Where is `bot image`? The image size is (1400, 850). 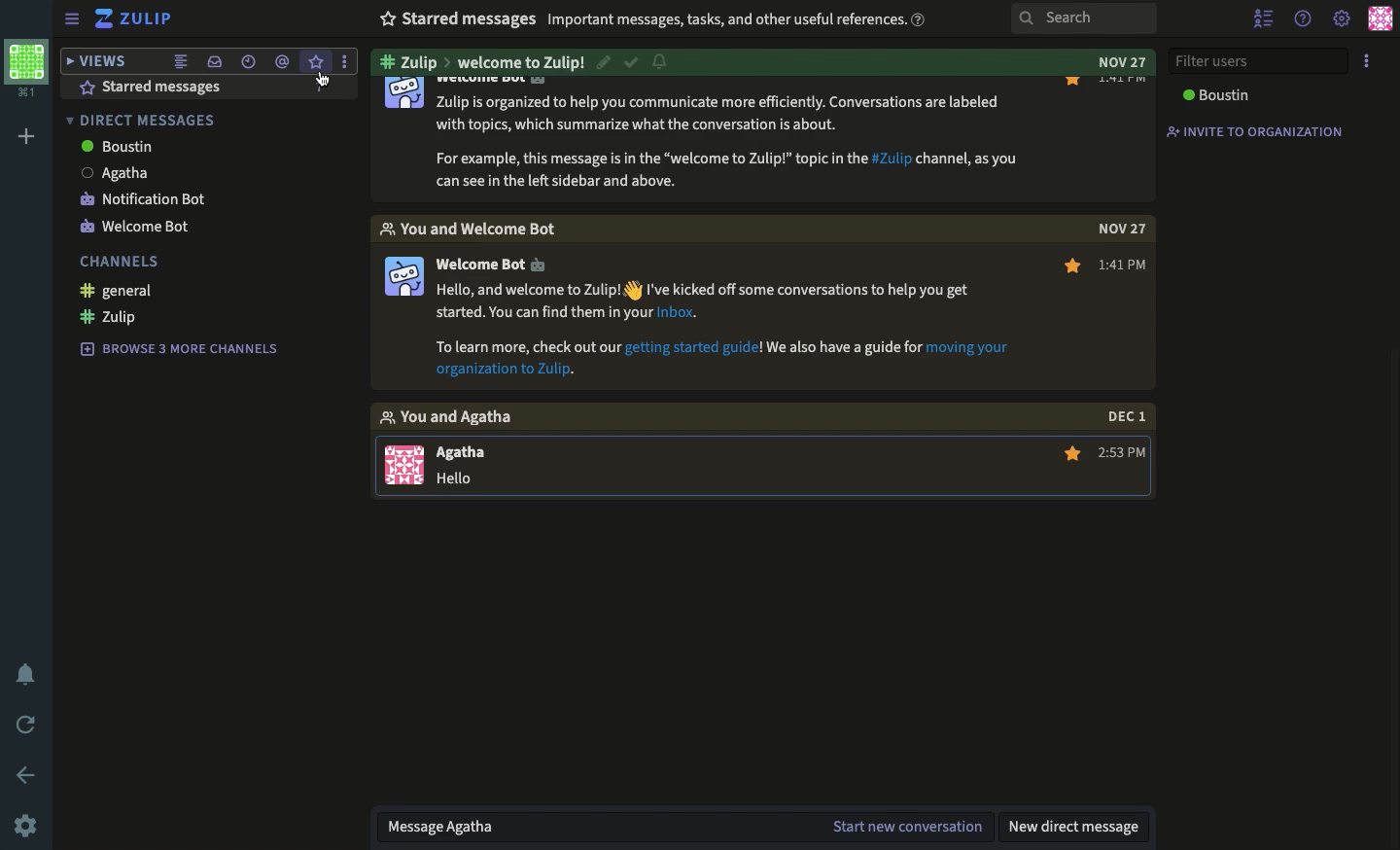
bot image is located at coordinates (402, 277).